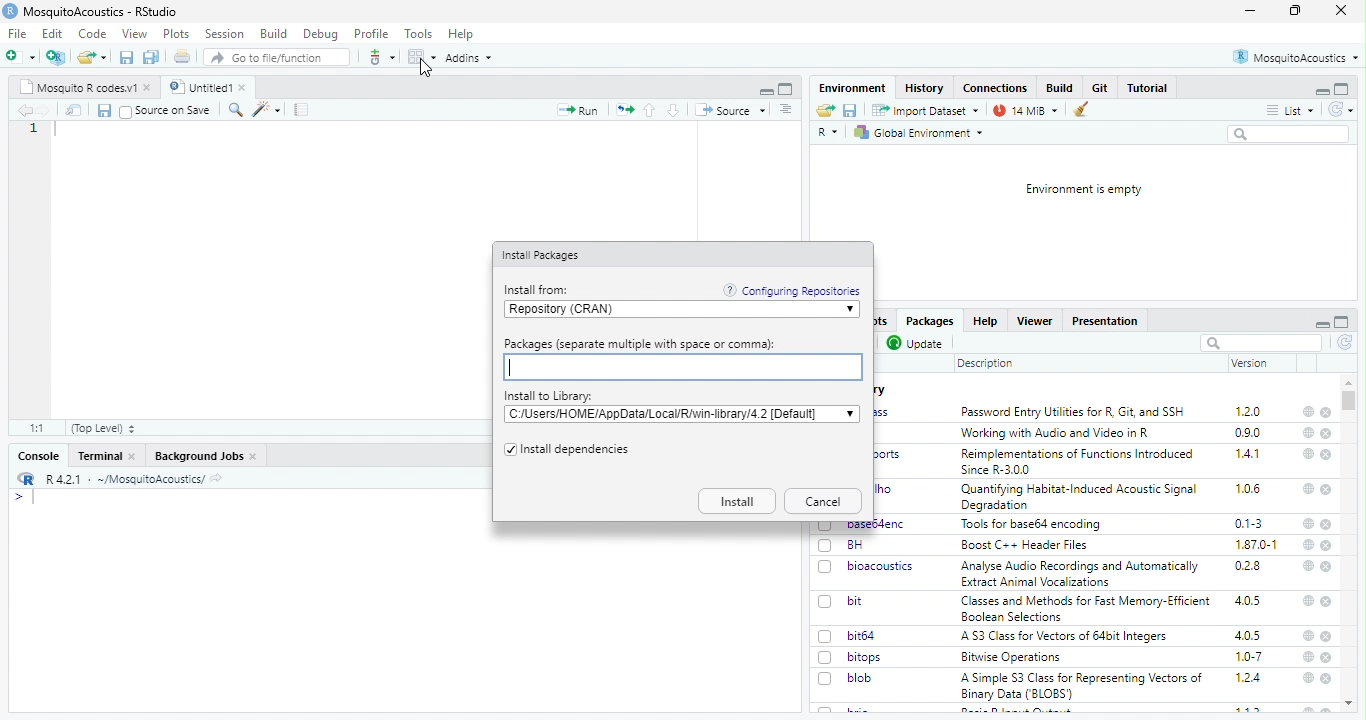 The width and height of the screenshot is (1366, 720). What do you see at coordinates (198, 87) in the screenshot?
I see `Untitied1` at bounding box center [198, 87].